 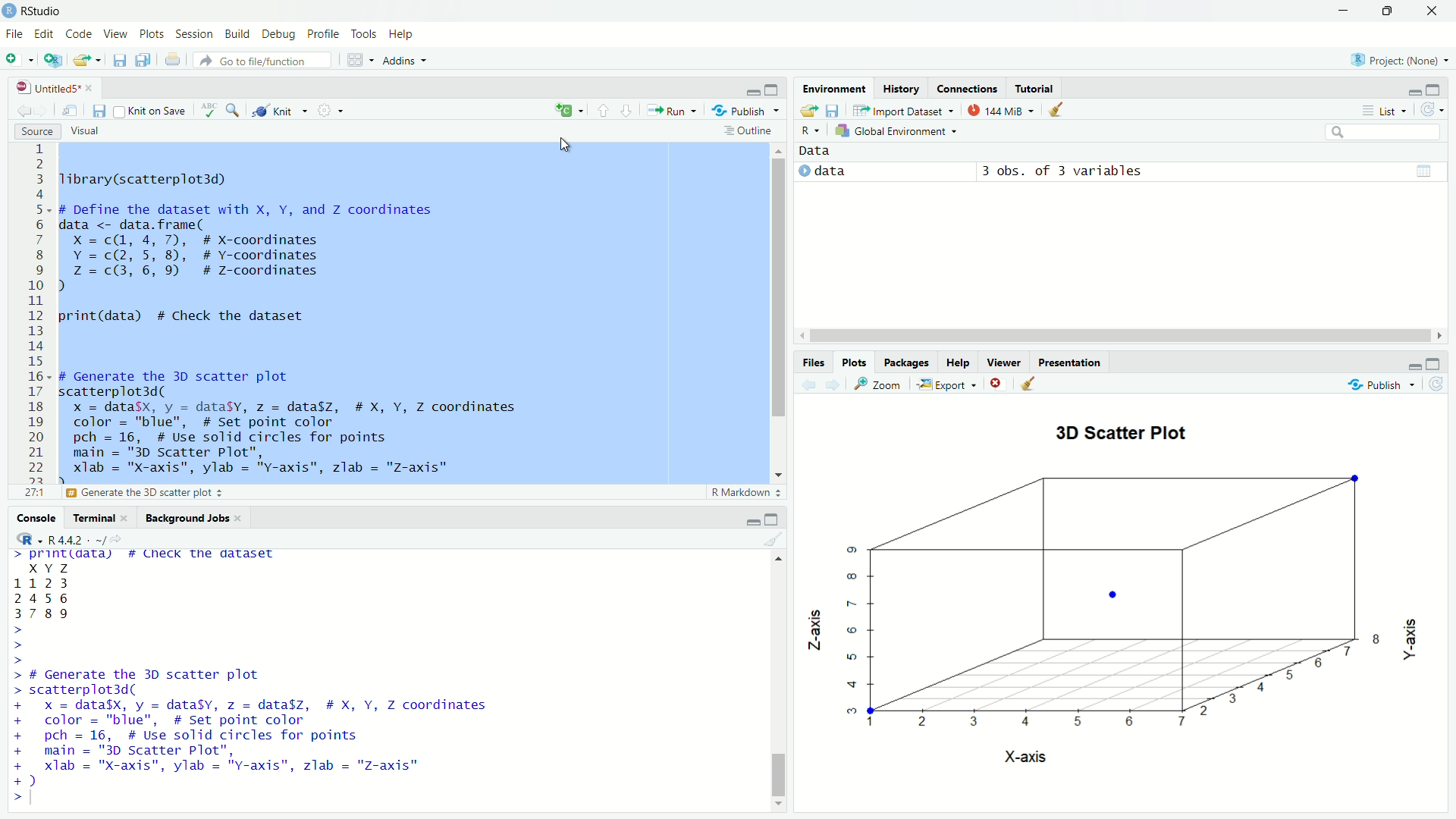 What do you see at coordinates (44, 616) in the screenshot?
I see `3789` at bounding box center [44, 616].